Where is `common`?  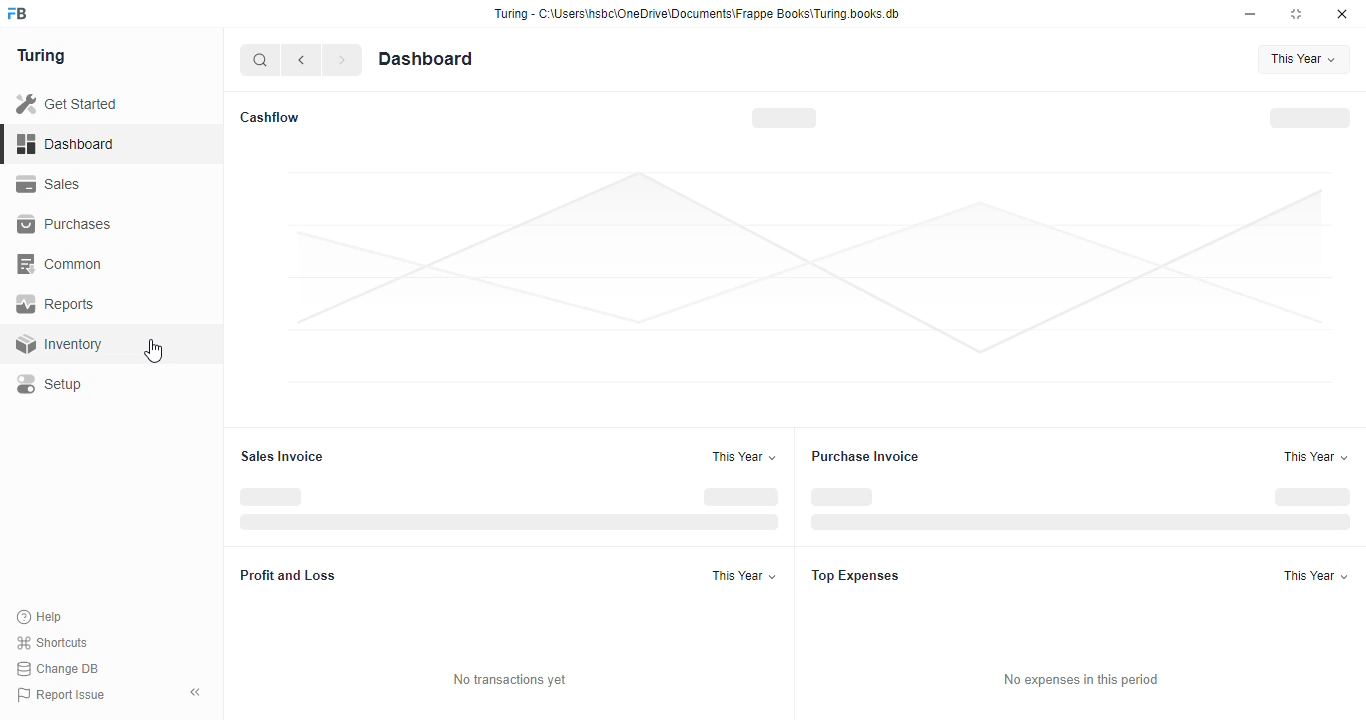
common is located at coordinates (62, 264).